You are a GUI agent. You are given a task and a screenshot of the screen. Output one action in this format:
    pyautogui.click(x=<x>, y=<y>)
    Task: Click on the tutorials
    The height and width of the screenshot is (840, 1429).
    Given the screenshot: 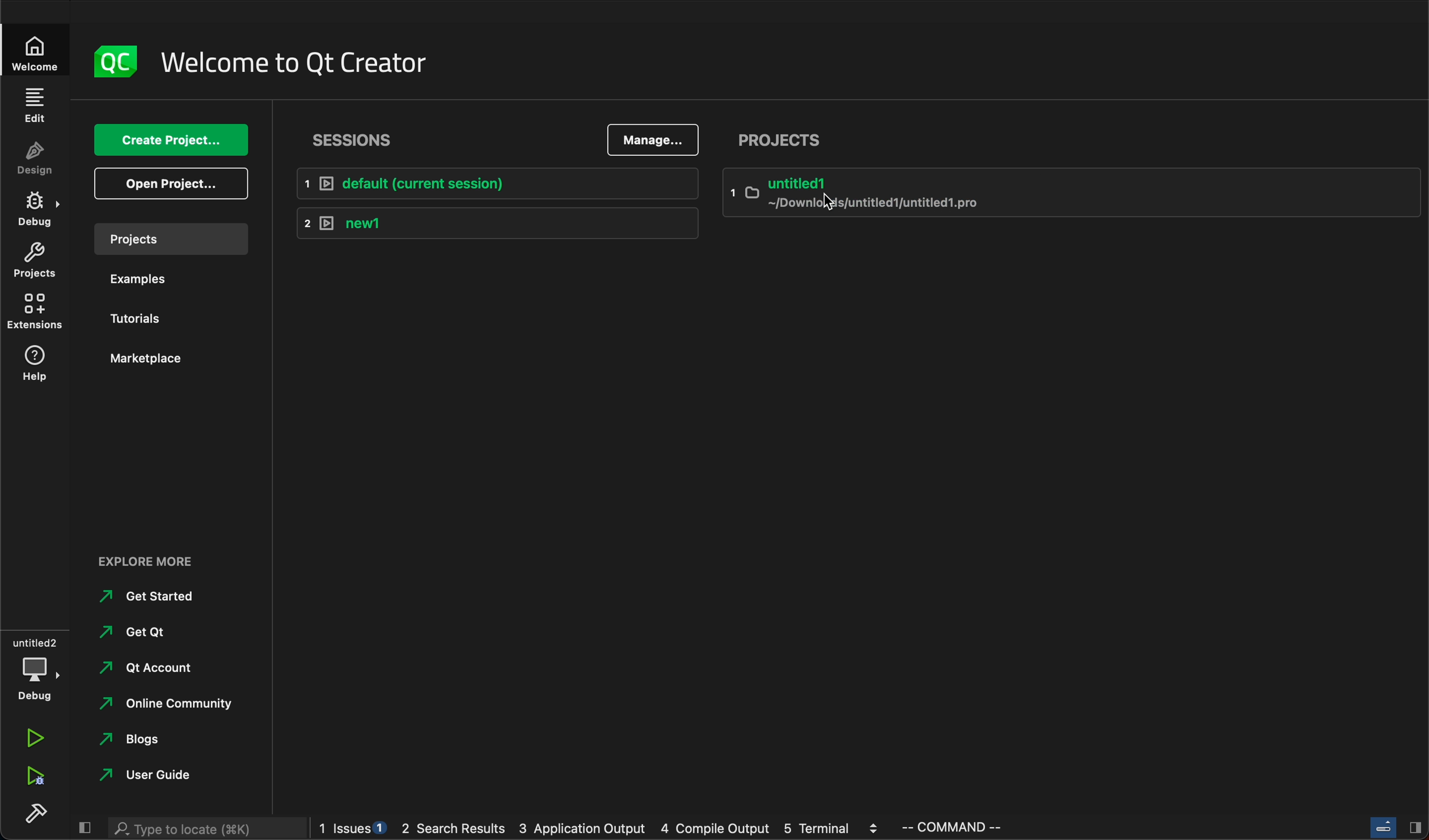 What is the action you would take?
    pyautogui.click(x=158, y=316)
    